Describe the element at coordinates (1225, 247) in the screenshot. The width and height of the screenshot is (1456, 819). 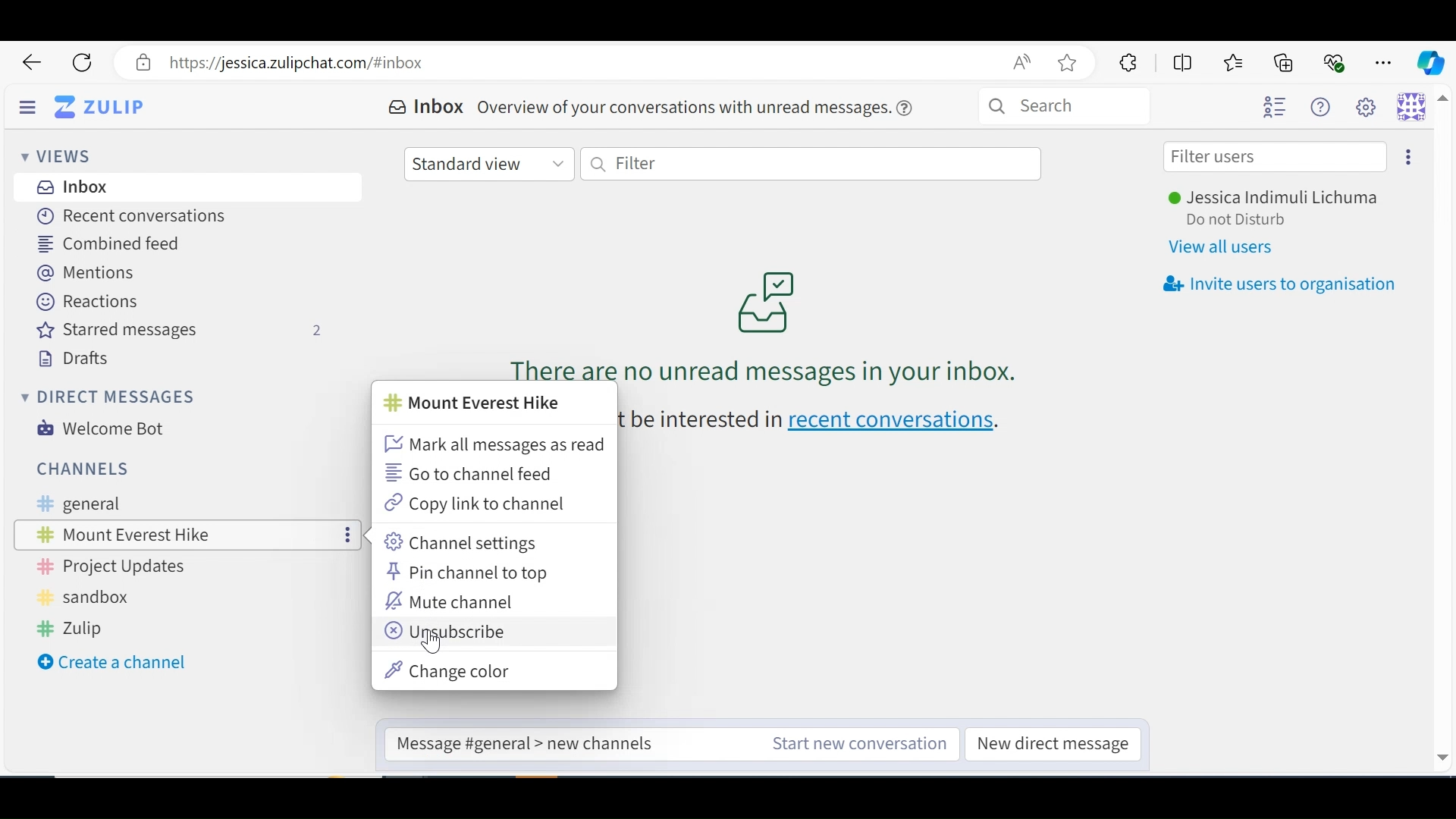
I see `View all users` at that location.